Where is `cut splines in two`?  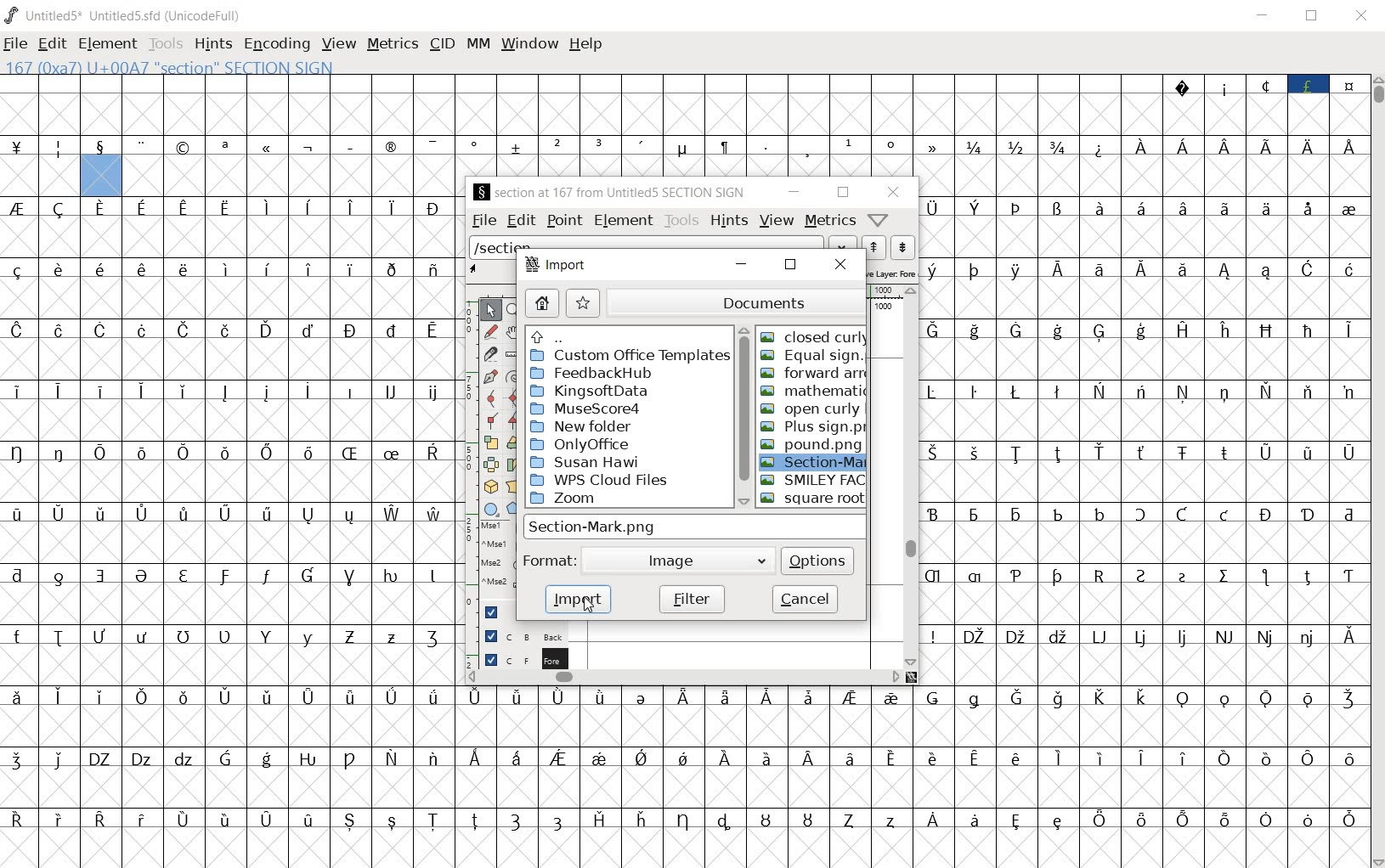
cut splines in two is located at coordinates (489, 353).